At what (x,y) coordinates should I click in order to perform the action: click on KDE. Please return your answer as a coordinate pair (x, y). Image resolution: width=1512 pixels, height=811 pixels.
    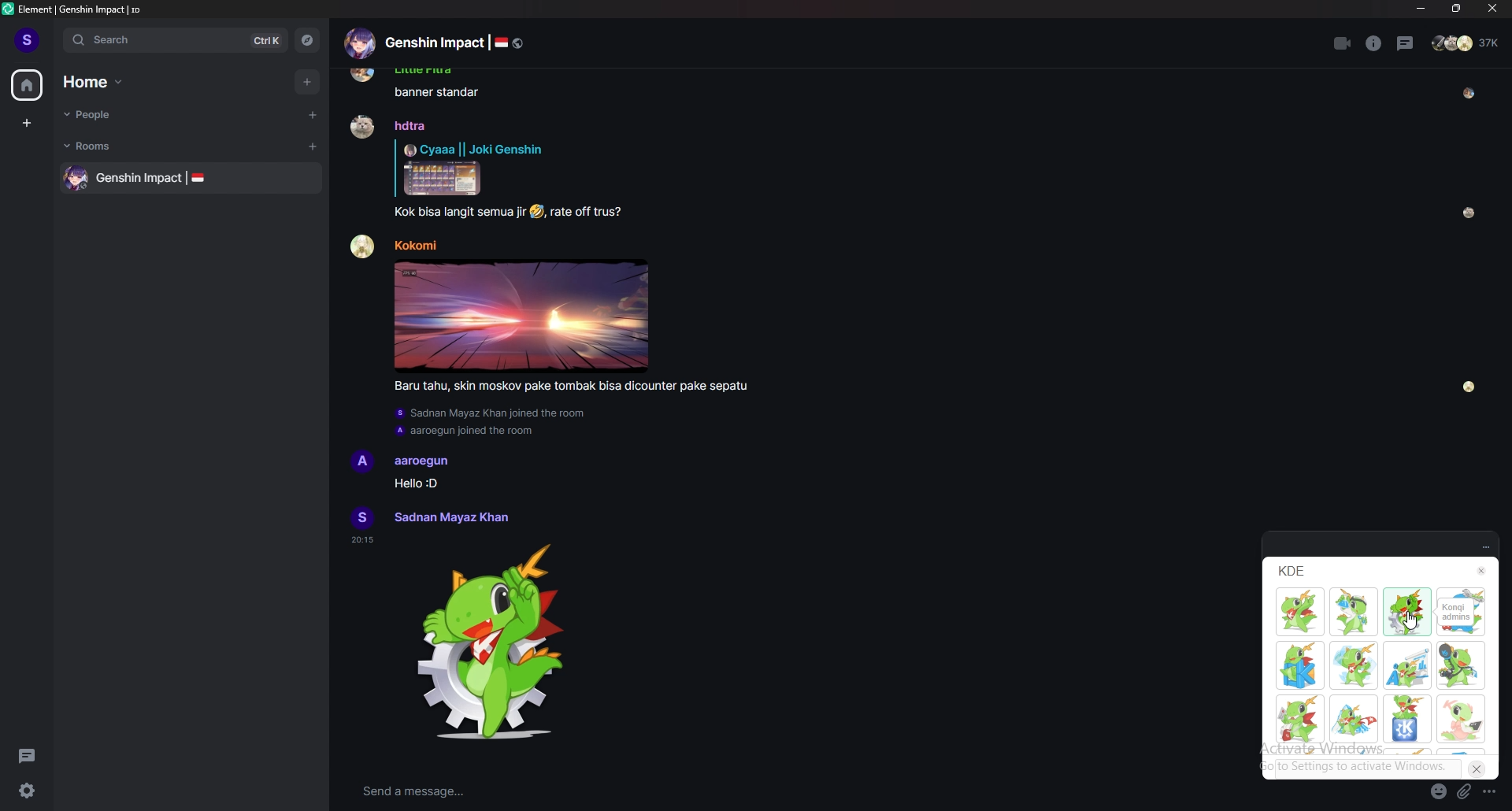
    Looking at the image, I should click on (1292, 571).